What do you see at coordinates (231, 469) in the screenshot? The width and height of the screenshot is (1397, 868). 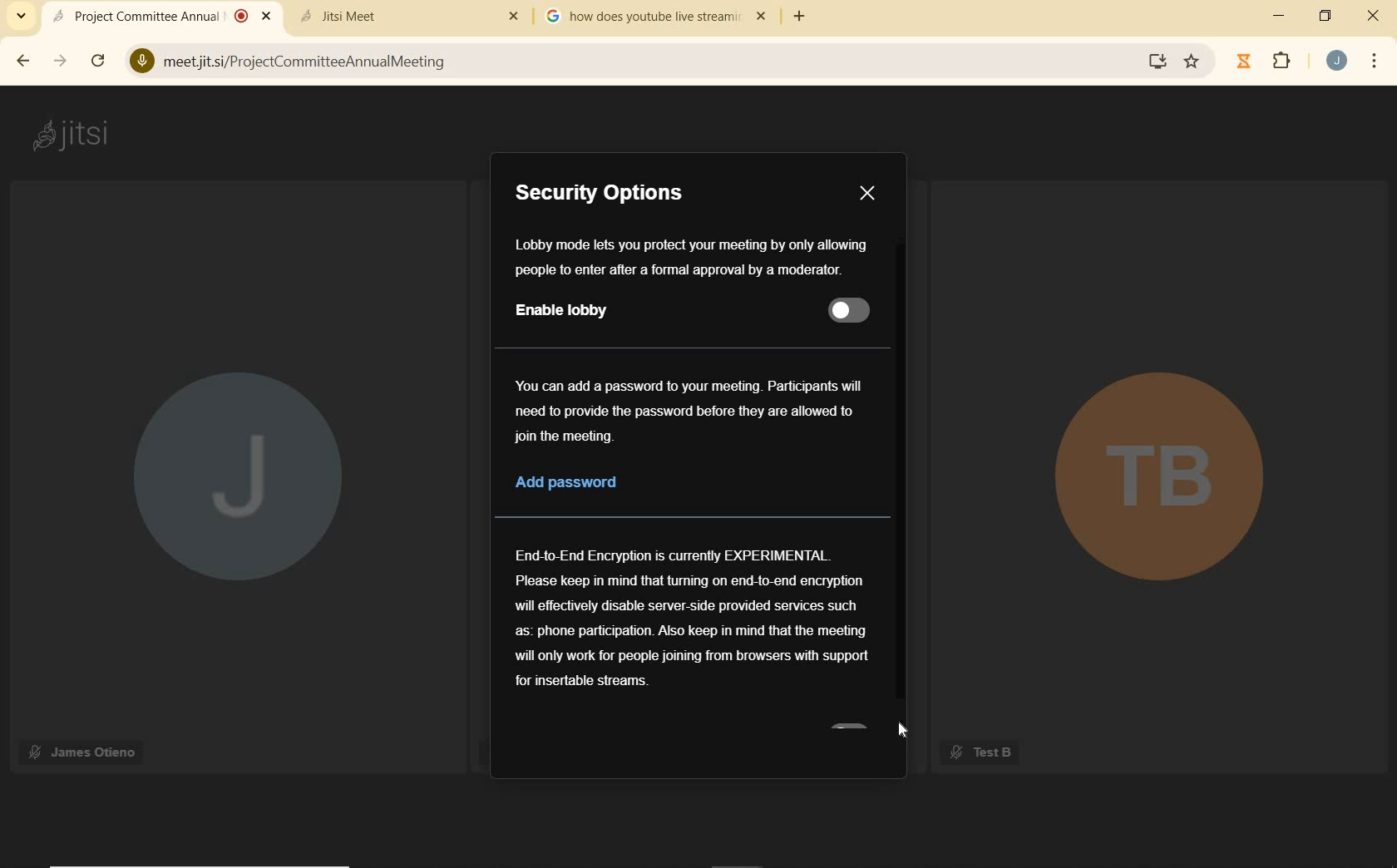 I see `J` at bounding box center [231, 469].